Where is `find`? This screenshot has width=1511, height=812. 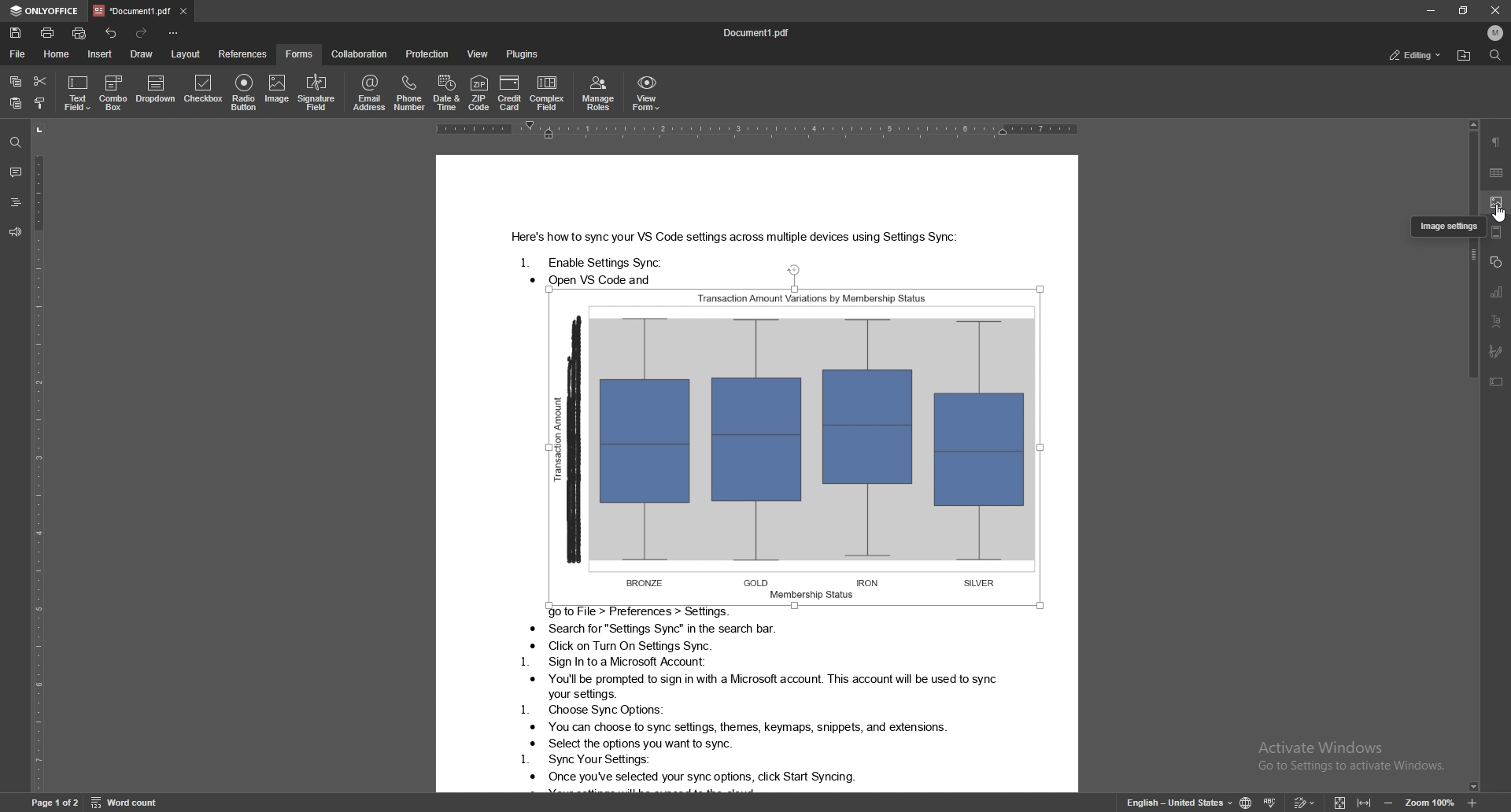
find is located at coordinates (1496, 55).